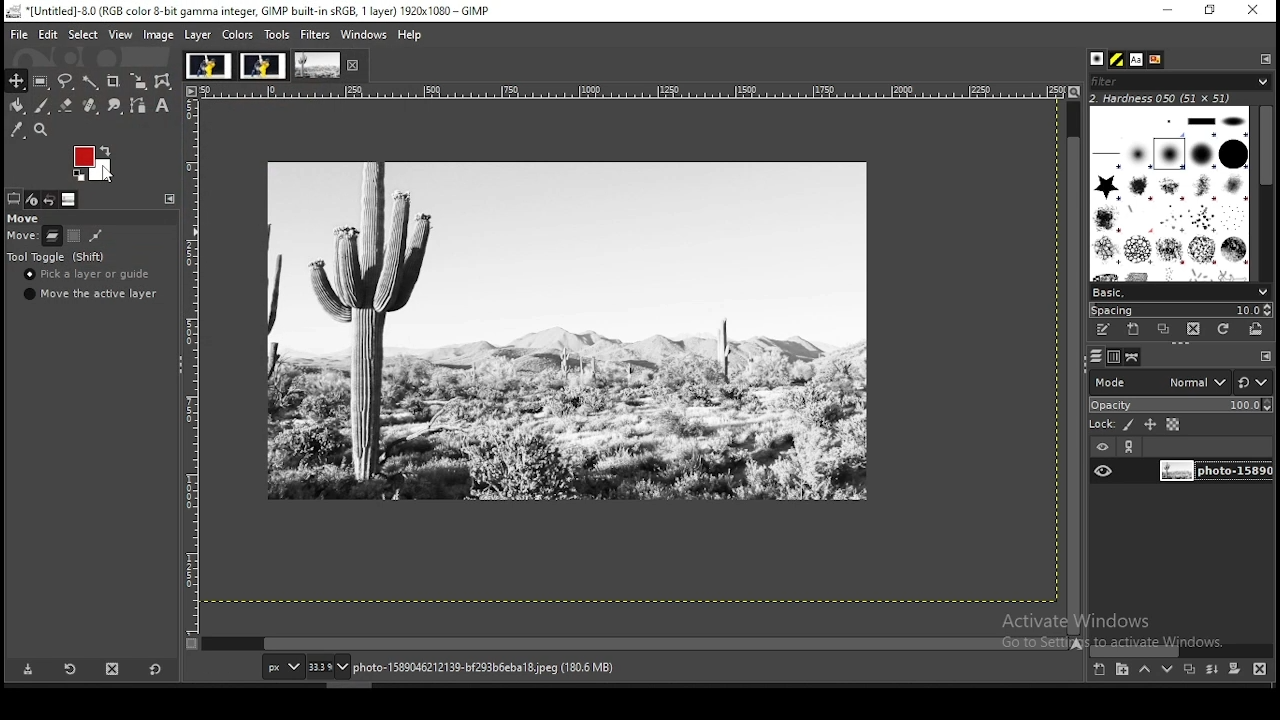 This screenshot has height=720, width=1280. Describe the element at coordinates (207, 64) in the screenshot. I see `image` at that location.